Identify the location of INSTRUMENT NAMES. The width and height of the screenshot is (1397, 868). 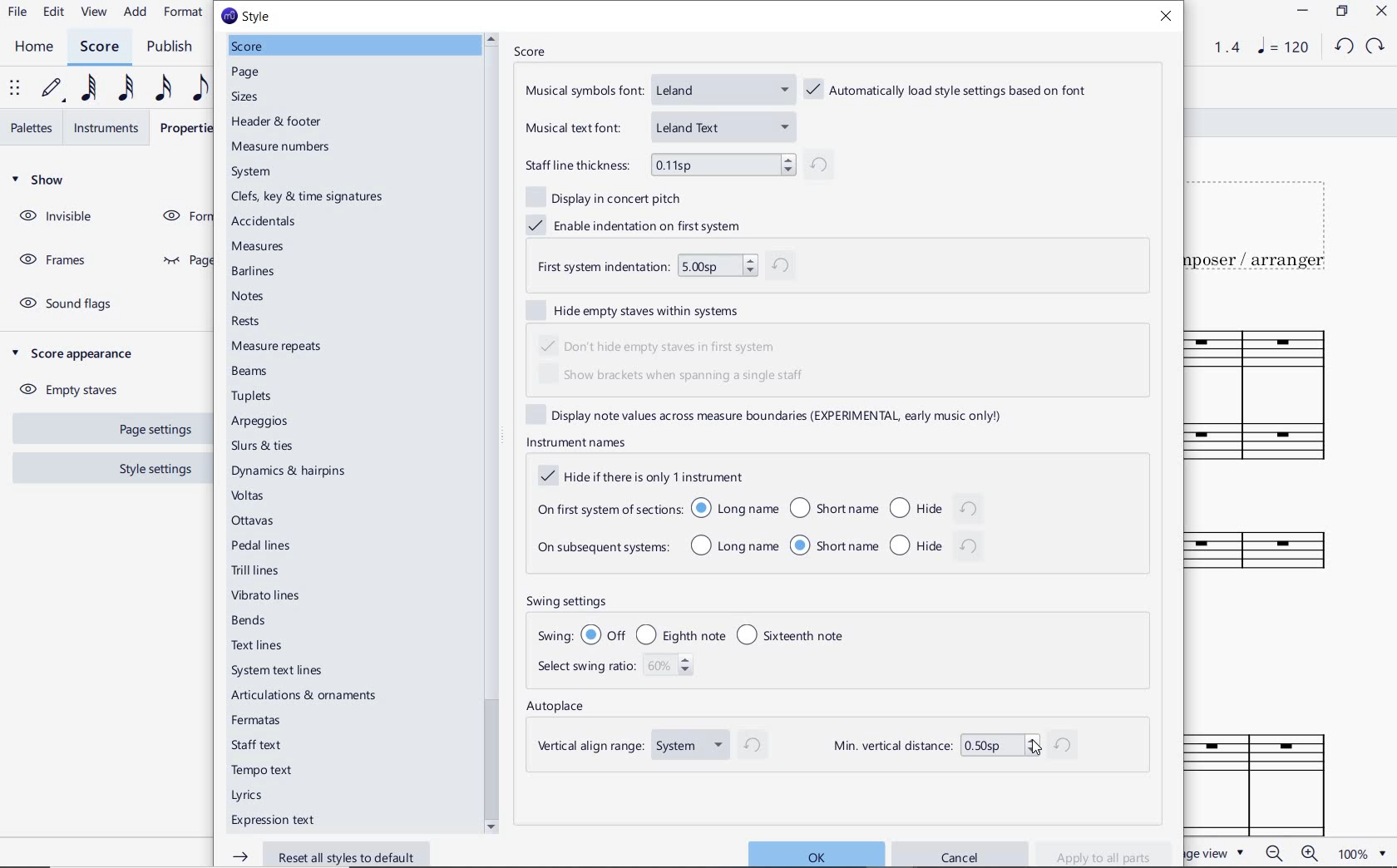
(575, 442).